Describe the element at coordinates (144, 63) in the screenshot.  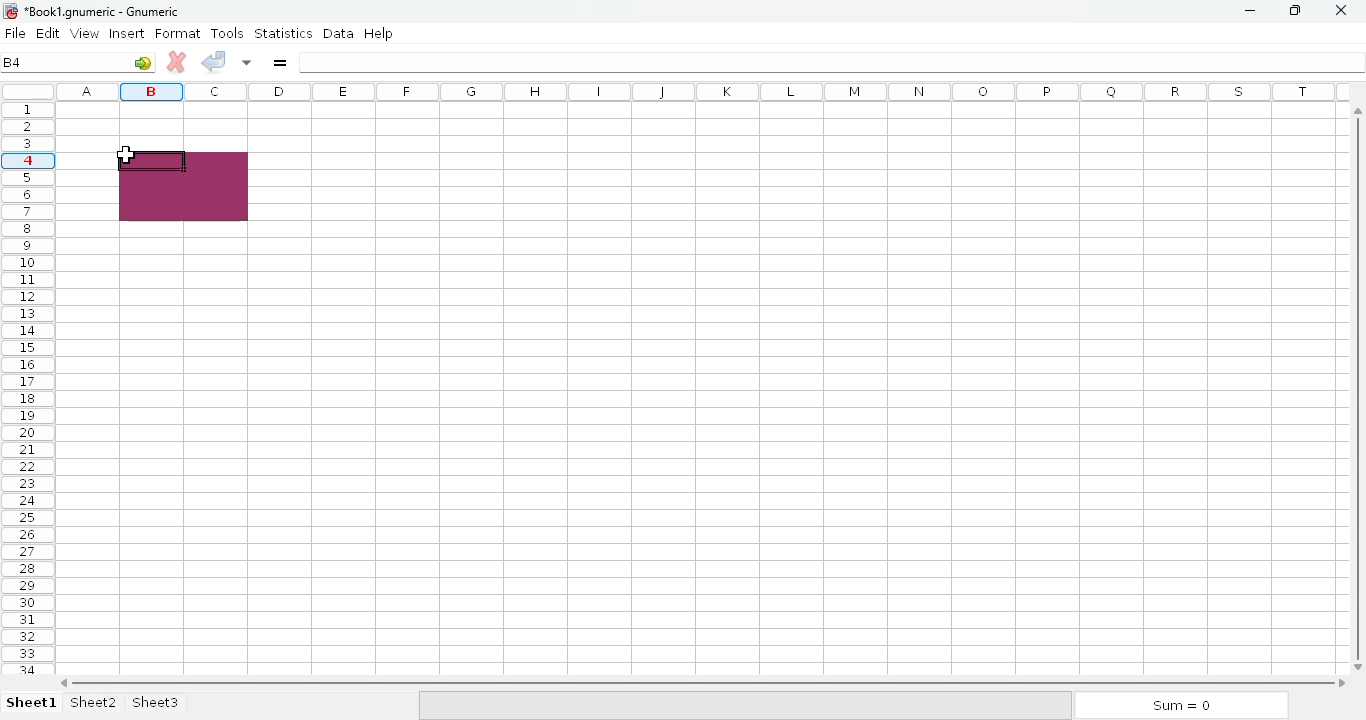
I see `go to` at that location.